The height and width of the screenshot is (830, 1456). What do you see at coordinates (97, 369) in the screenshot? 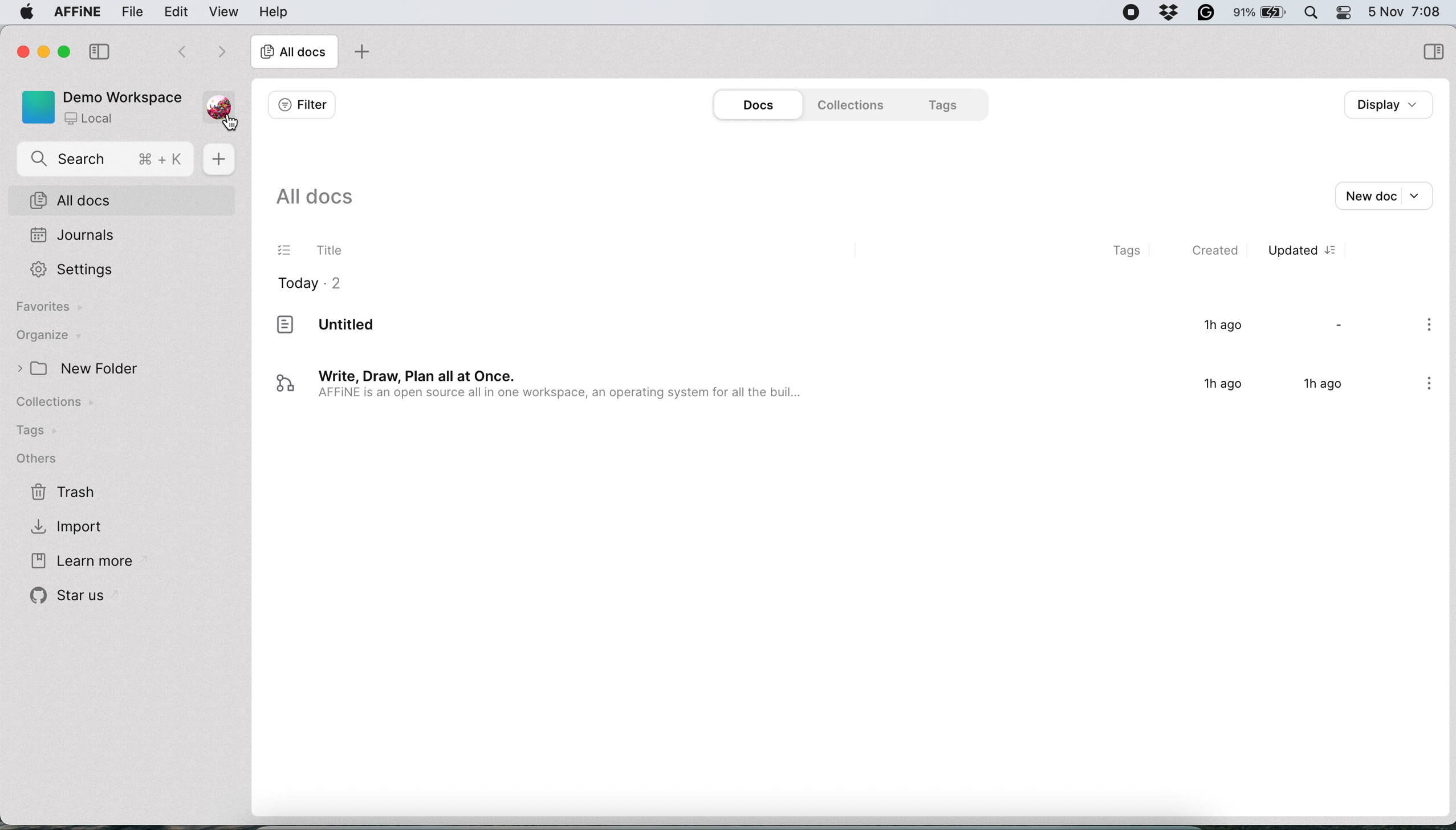
I see `new folder` at bounding box center [97, 369].